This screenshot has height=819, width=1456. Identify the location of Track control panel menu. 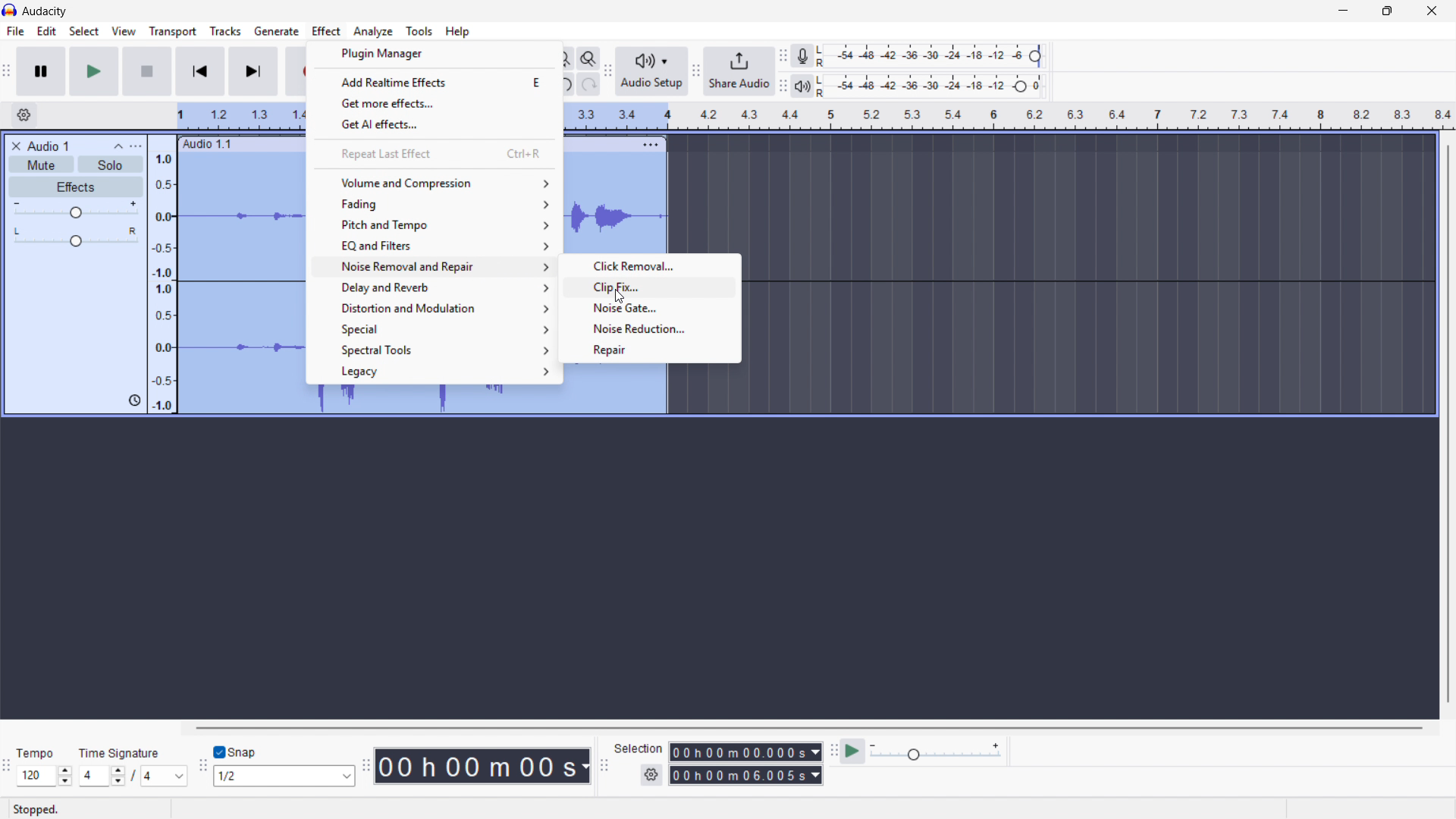
(136, 146).